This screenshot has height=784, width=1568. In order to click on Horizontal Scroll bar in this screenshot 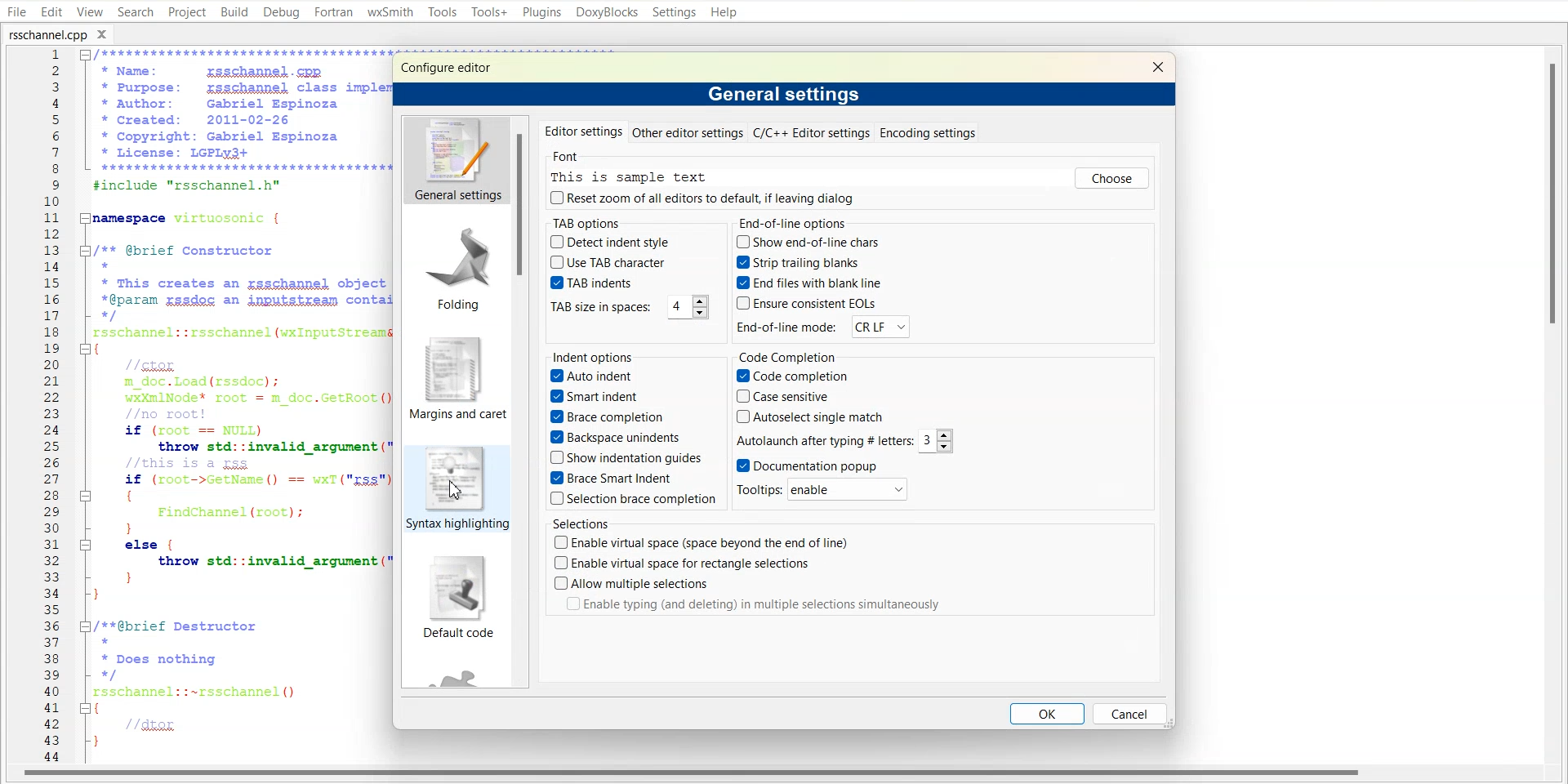, I will do `click(694, 775)`.